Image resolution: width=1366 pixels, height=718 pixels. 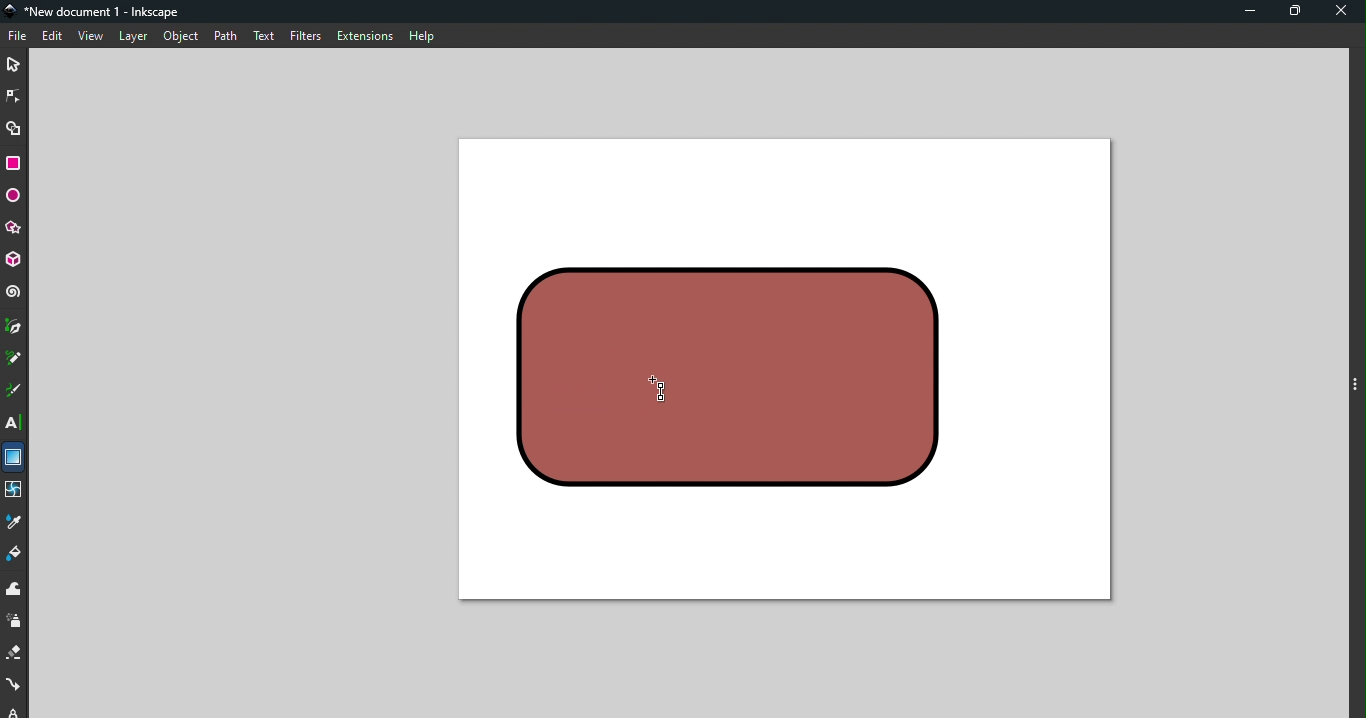 What do you see at coordinates (1299, 12) in the screenshot?
I see `Maximize` at bounding box center [1299, 12].